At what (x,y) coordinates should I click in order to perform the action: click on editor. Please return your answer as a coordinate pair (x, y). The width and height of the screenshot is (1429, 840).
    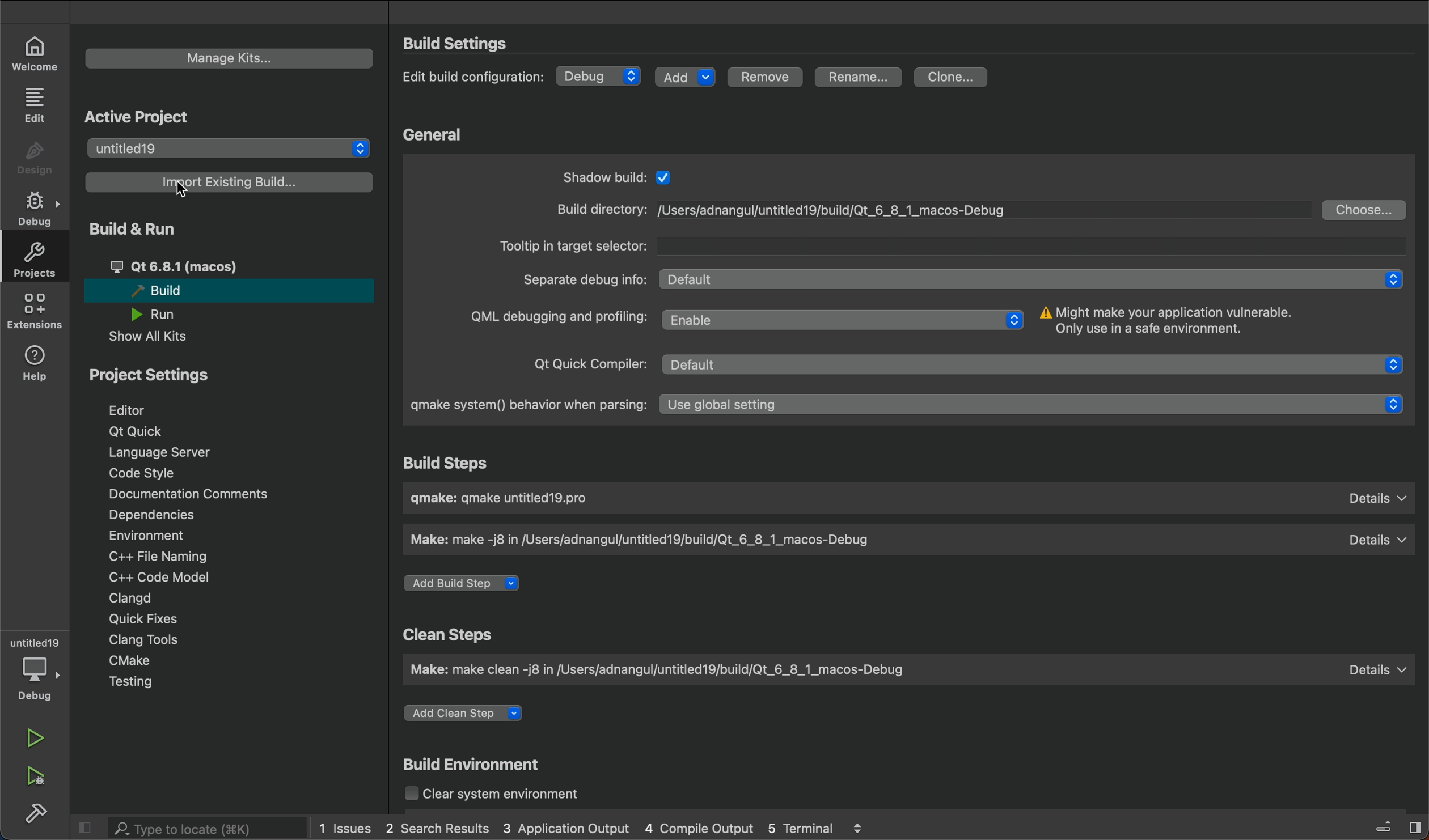
    Looking at the image, I should click on (144, 409).